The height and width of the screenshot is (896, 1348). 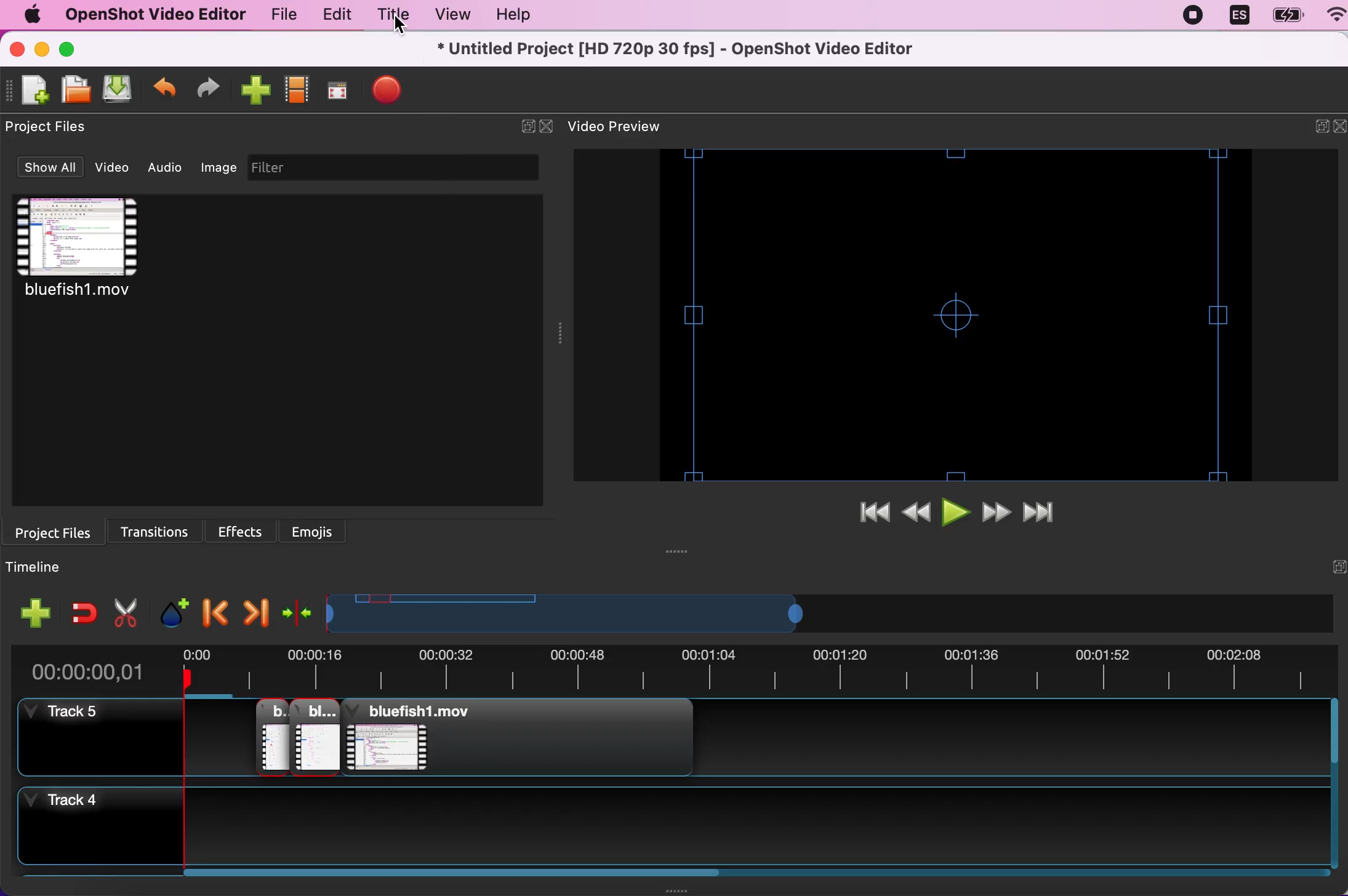 I want to click on title, so click(x=390, y=17).